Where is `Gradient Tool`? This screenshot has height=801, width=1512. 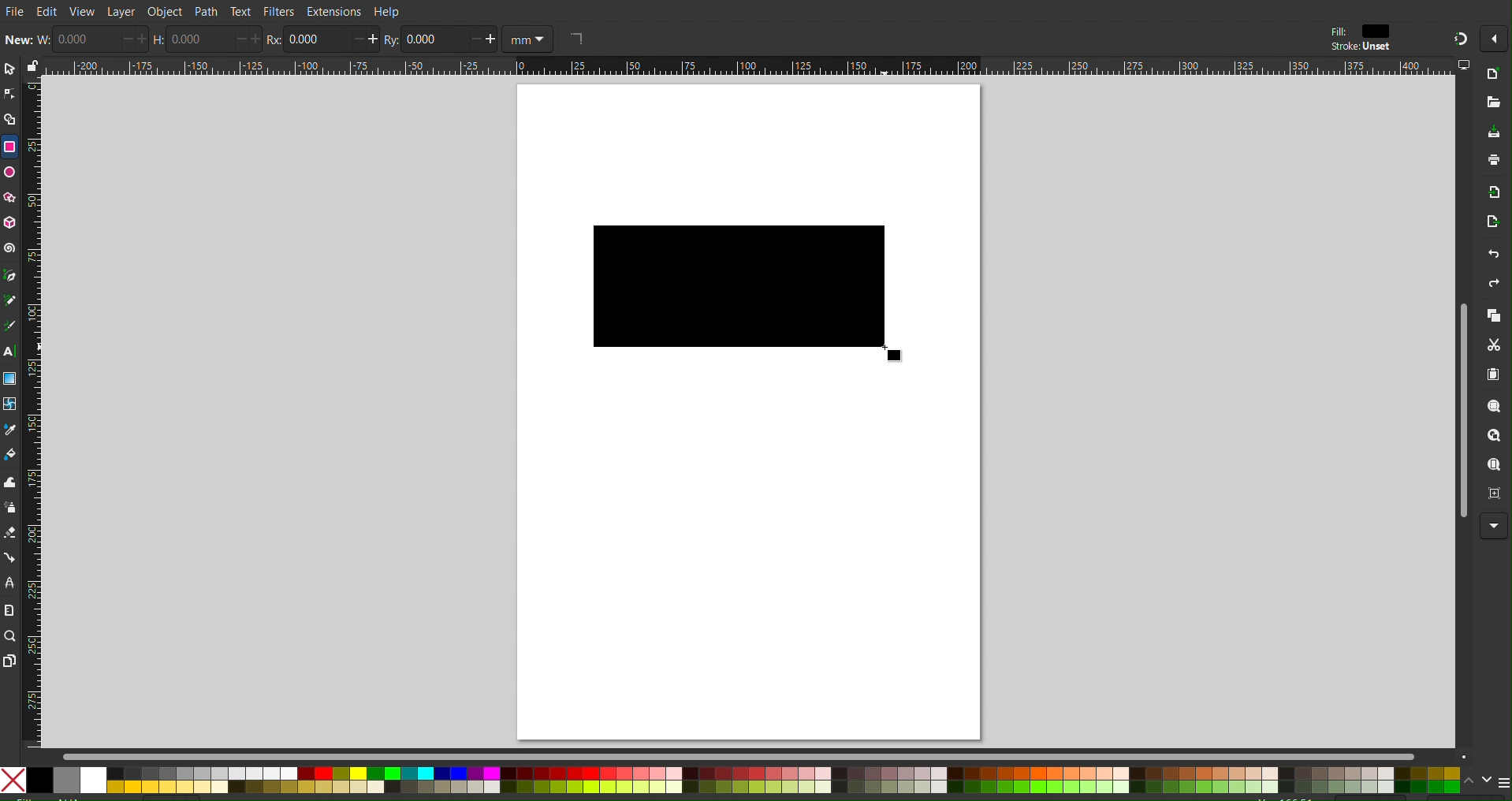
Gradient Tool is located at coordinates (9, 378).